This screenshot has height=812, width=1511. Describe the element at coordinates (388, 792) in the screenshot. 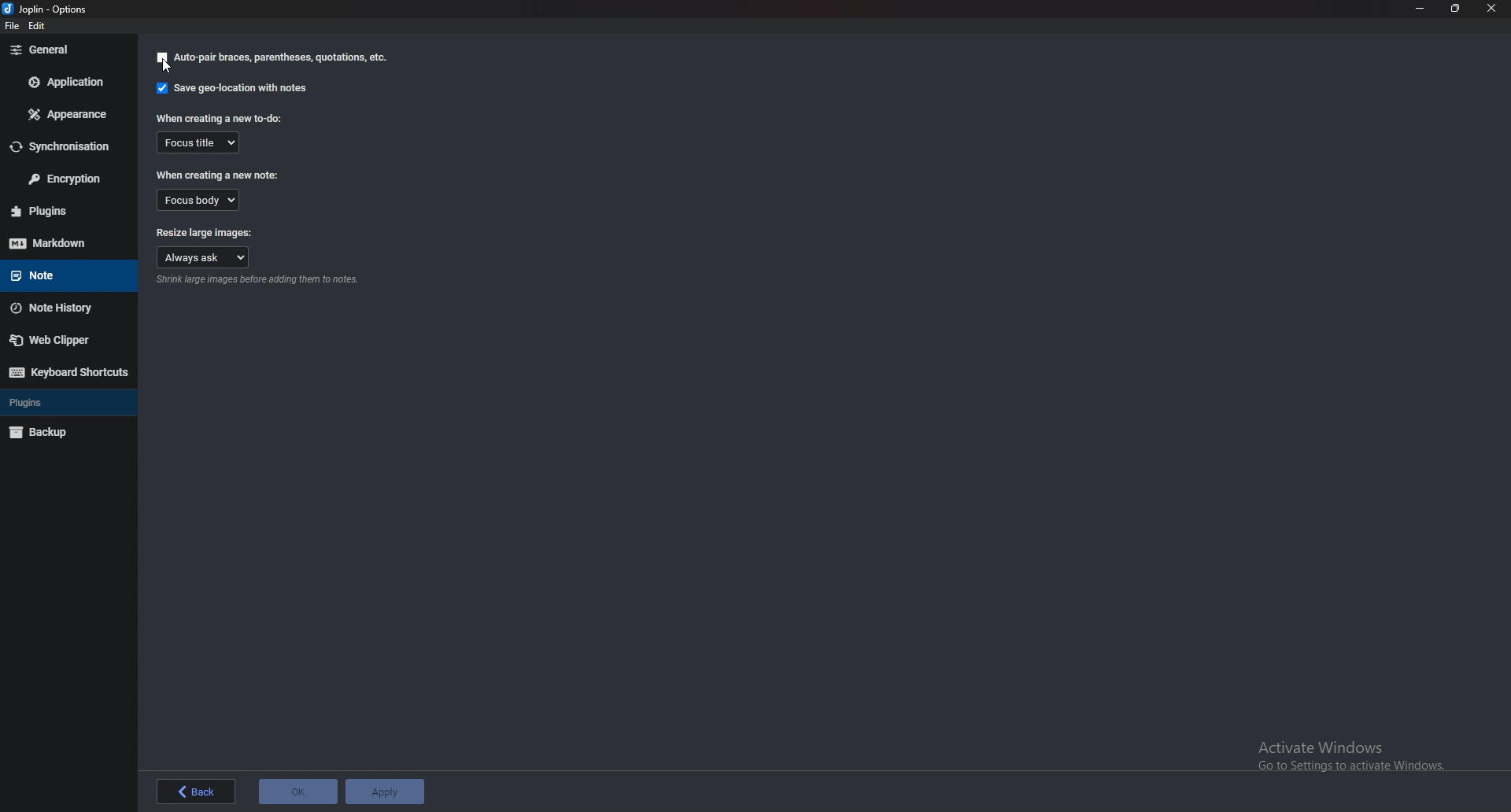

I see `apply` at that location.